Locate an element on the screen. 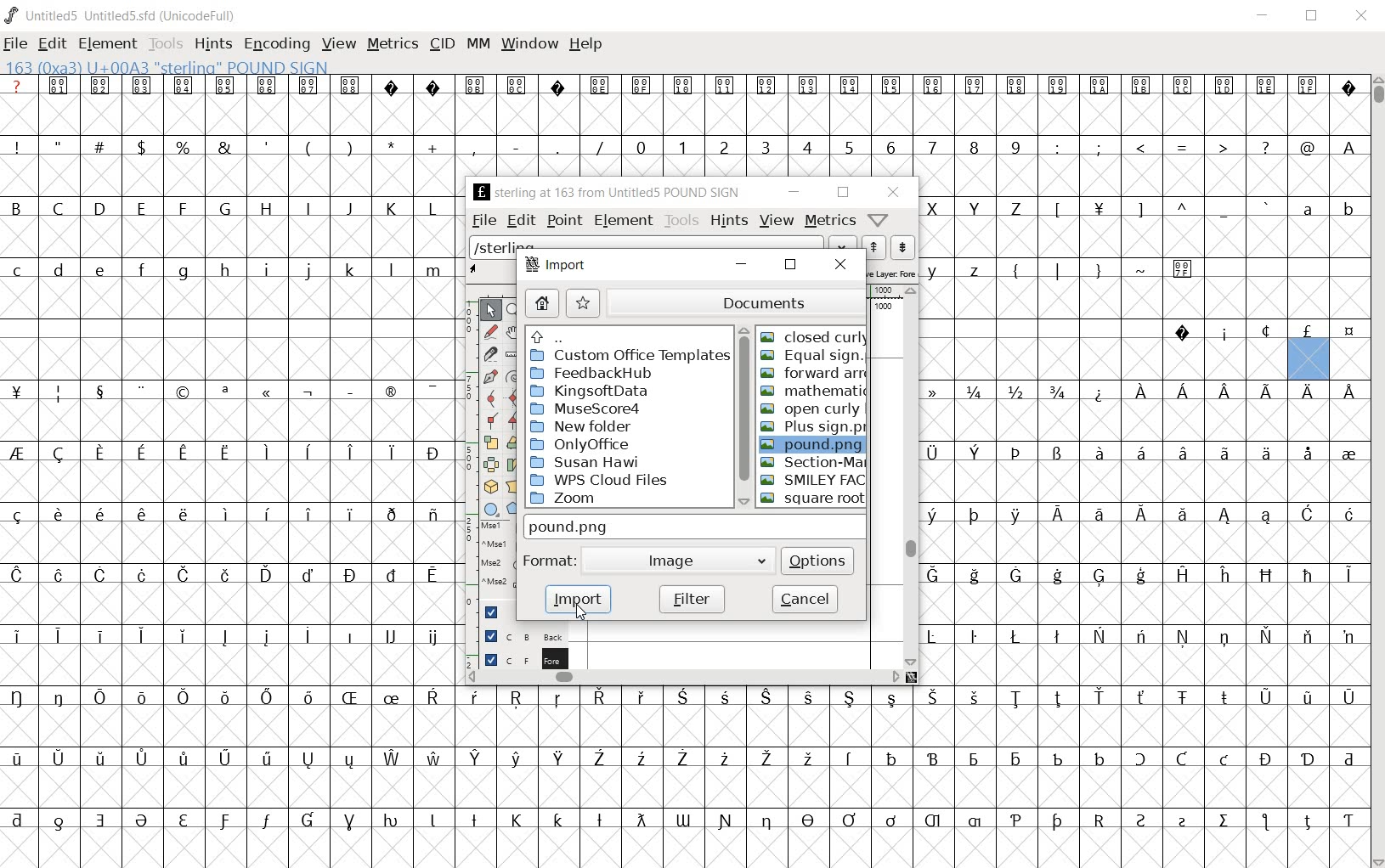 This screenshot has width=1385, height=868. Symbol is located at coordinates (432, 516).